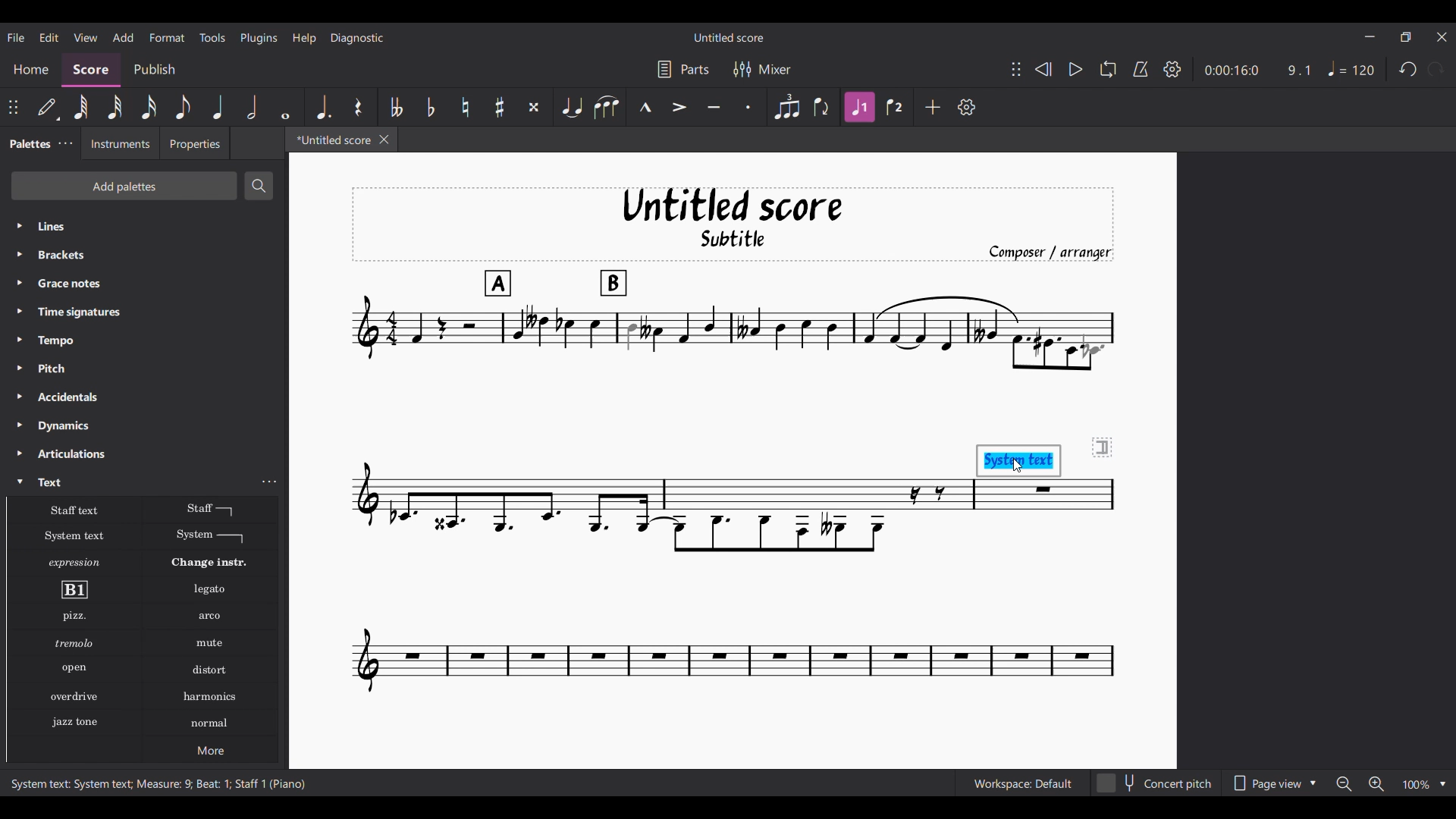 The image size is (1456, 819). I want to click on Voice 2, so click(895, 107).